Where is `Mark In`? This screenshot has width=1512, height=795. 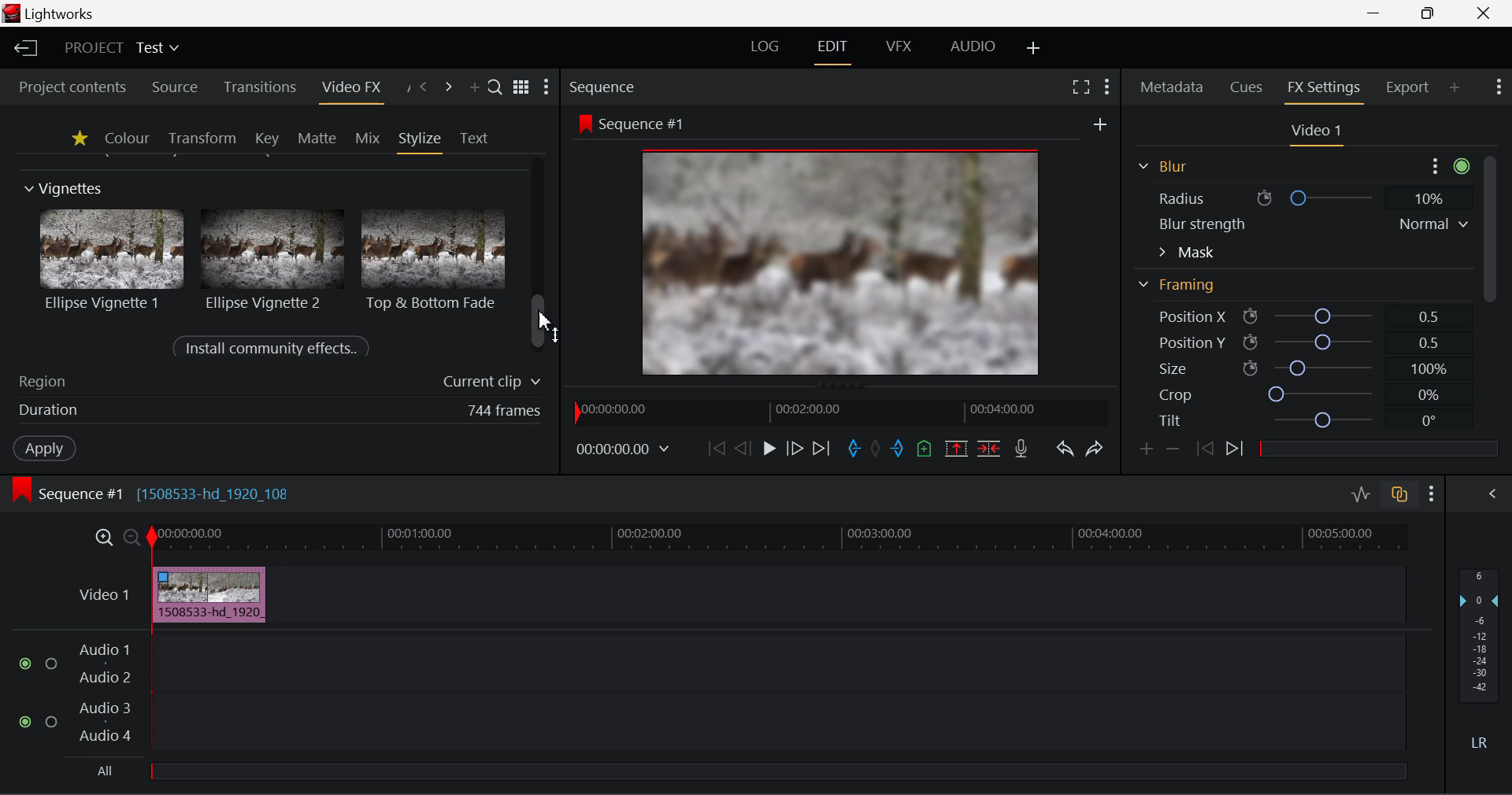
Mark In is located at coordinates (852, 446).